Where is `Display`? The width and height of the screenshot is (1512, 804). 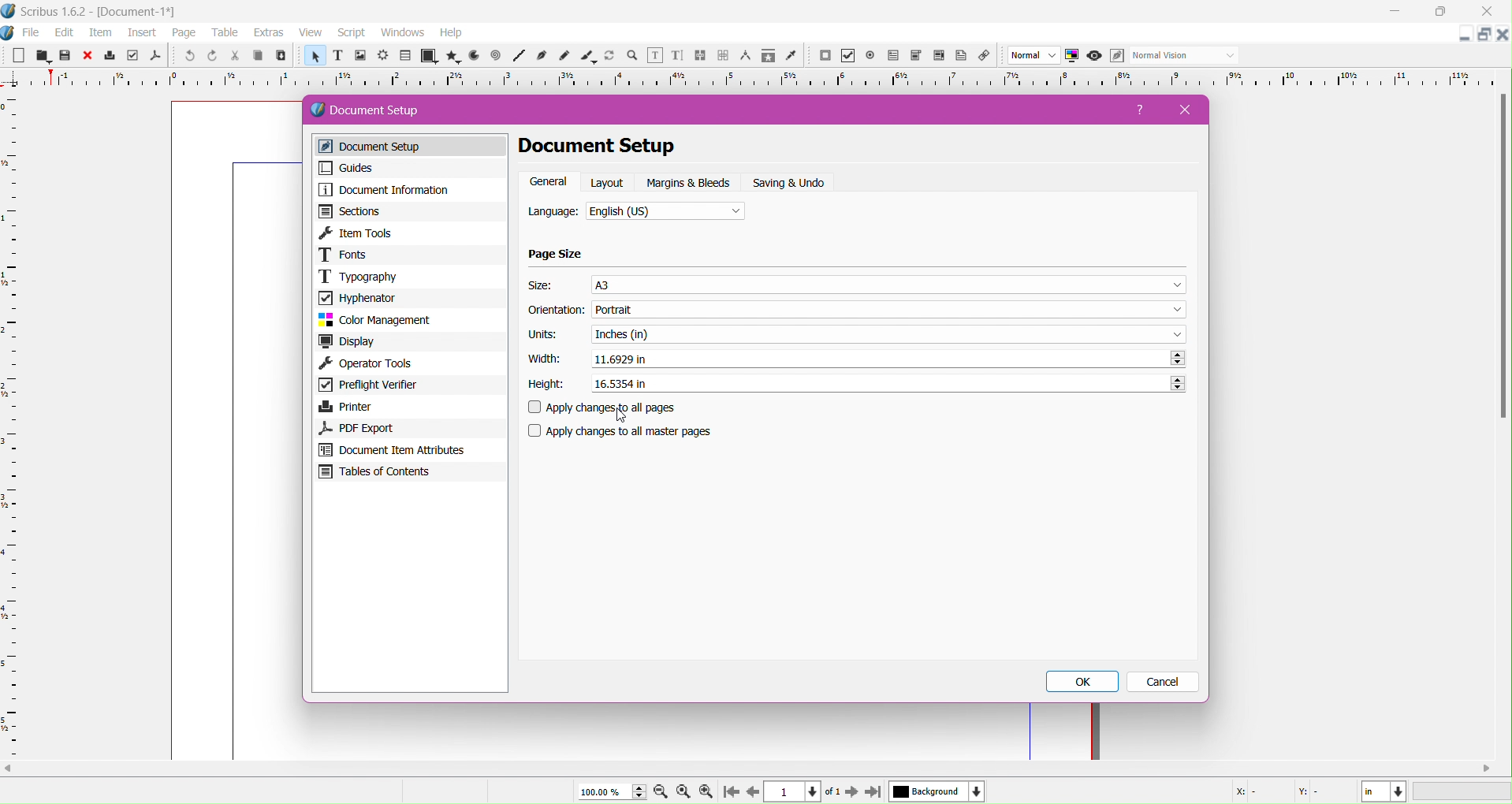 Display is located at coordinates (411, 342).